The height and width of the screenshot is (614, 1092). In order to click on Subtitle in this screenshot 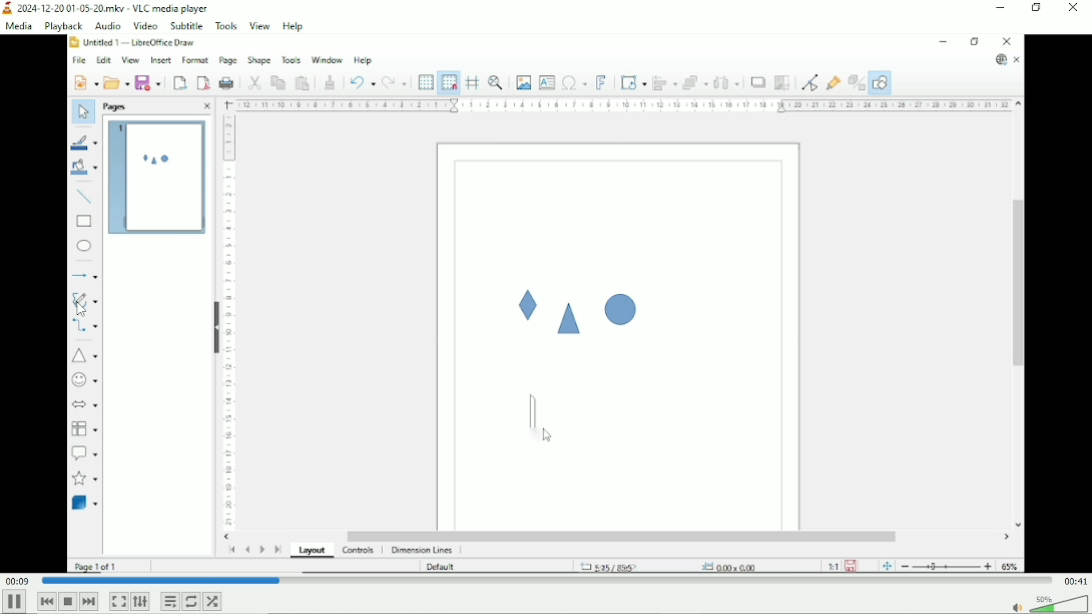, I will do `click(188, 26)`.